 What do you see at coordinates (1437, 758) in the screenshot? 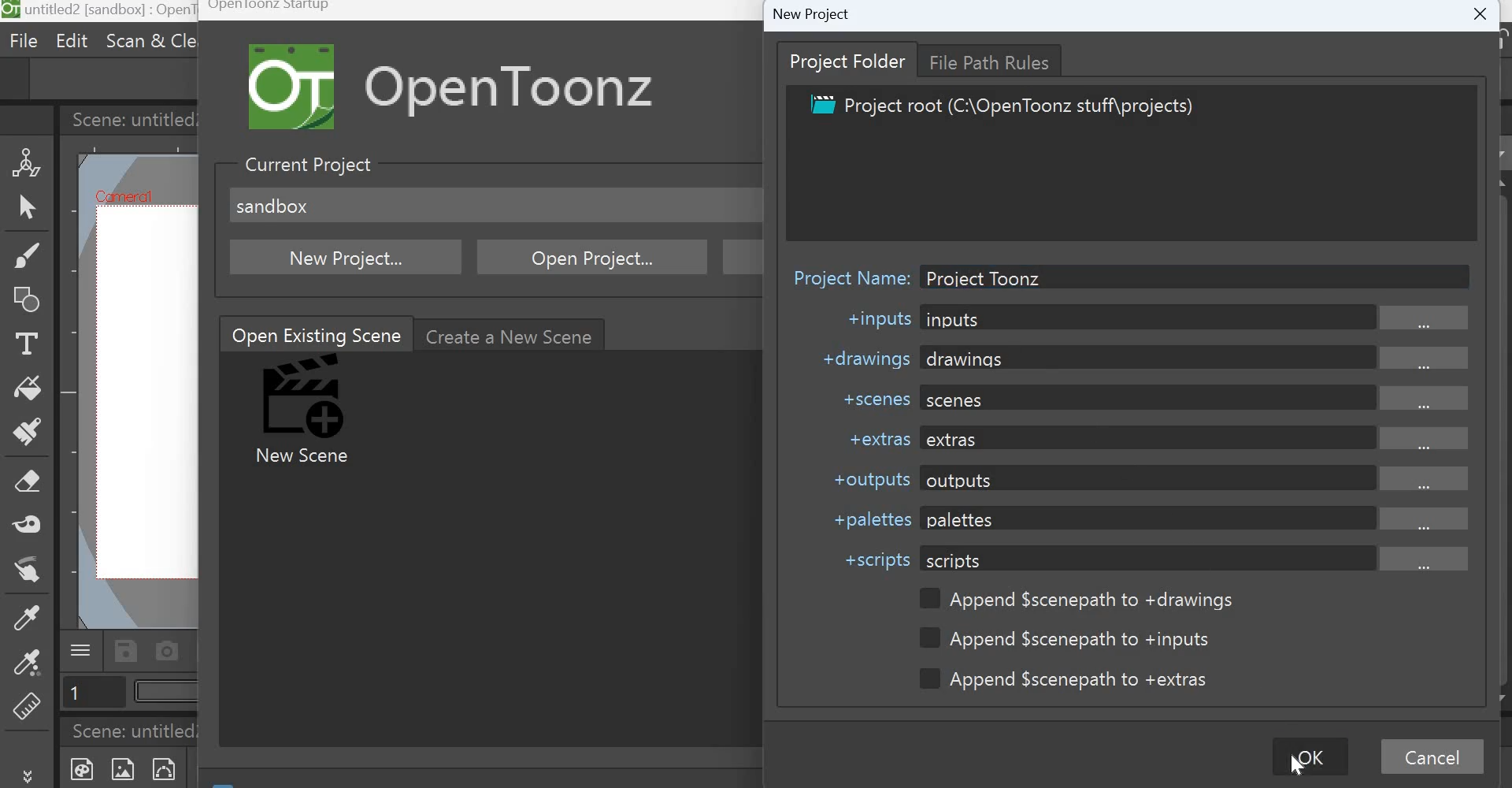
I see `Cancel` at bounding box center [1437, 758].